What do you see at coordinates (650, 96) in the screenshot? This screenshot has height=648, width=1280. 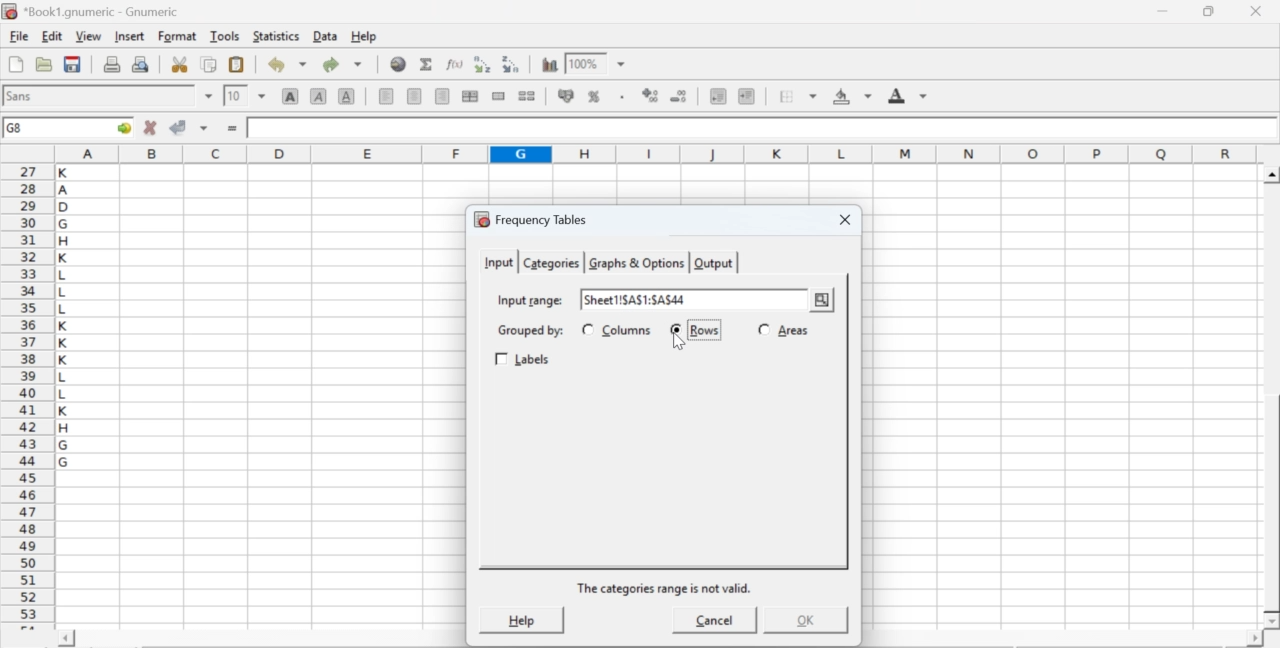 I see `decrease number of decimals displayed` at bounding box center [650, 96].